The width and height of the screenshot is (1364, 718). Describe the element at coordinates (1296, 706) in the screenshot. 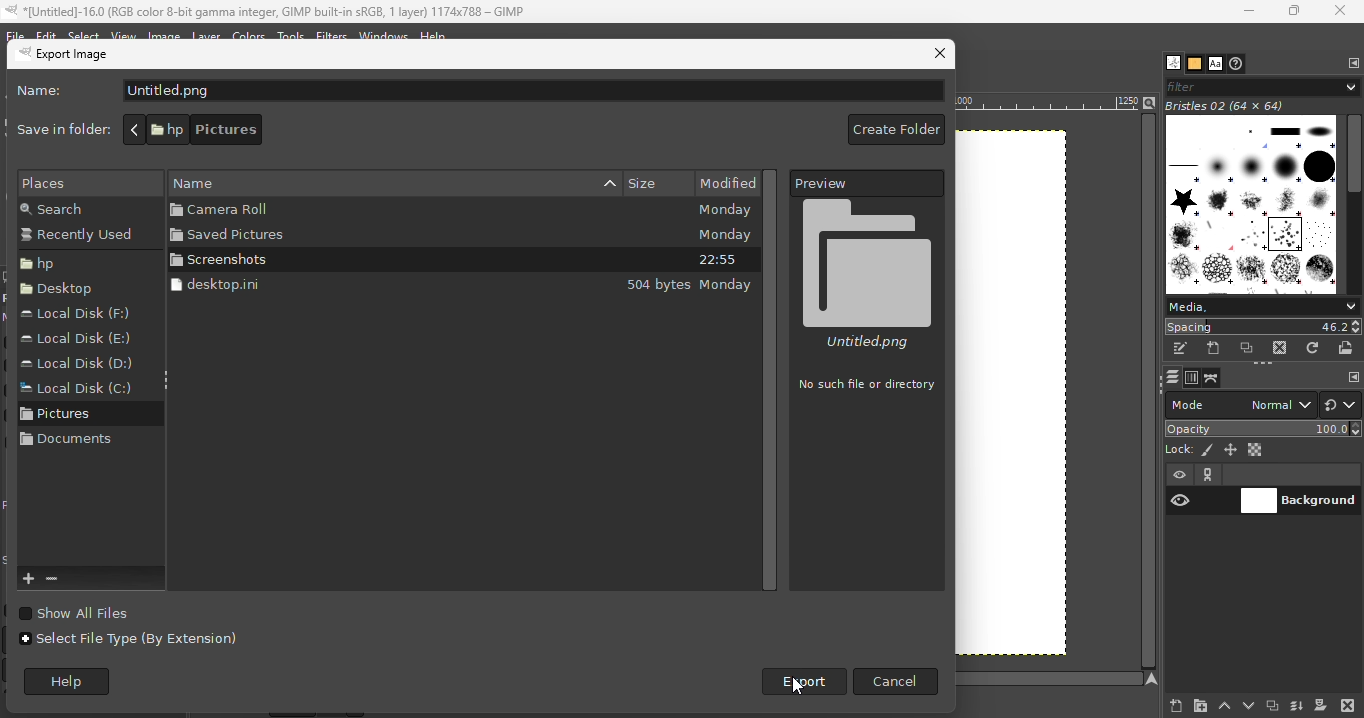

I see `Merge all visible layers with the last used values` at that location.